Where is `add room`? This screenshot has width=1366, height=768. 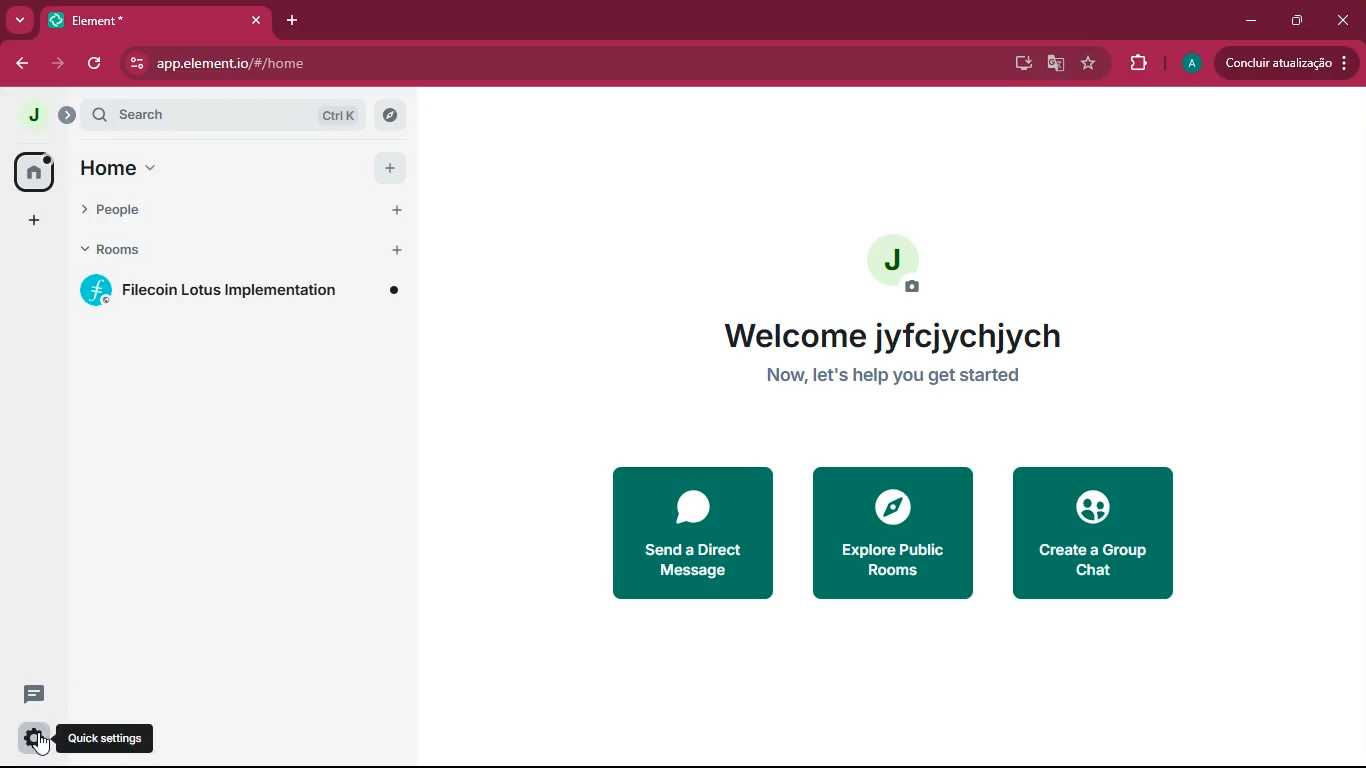
add room is located at coordinates (398, 250).